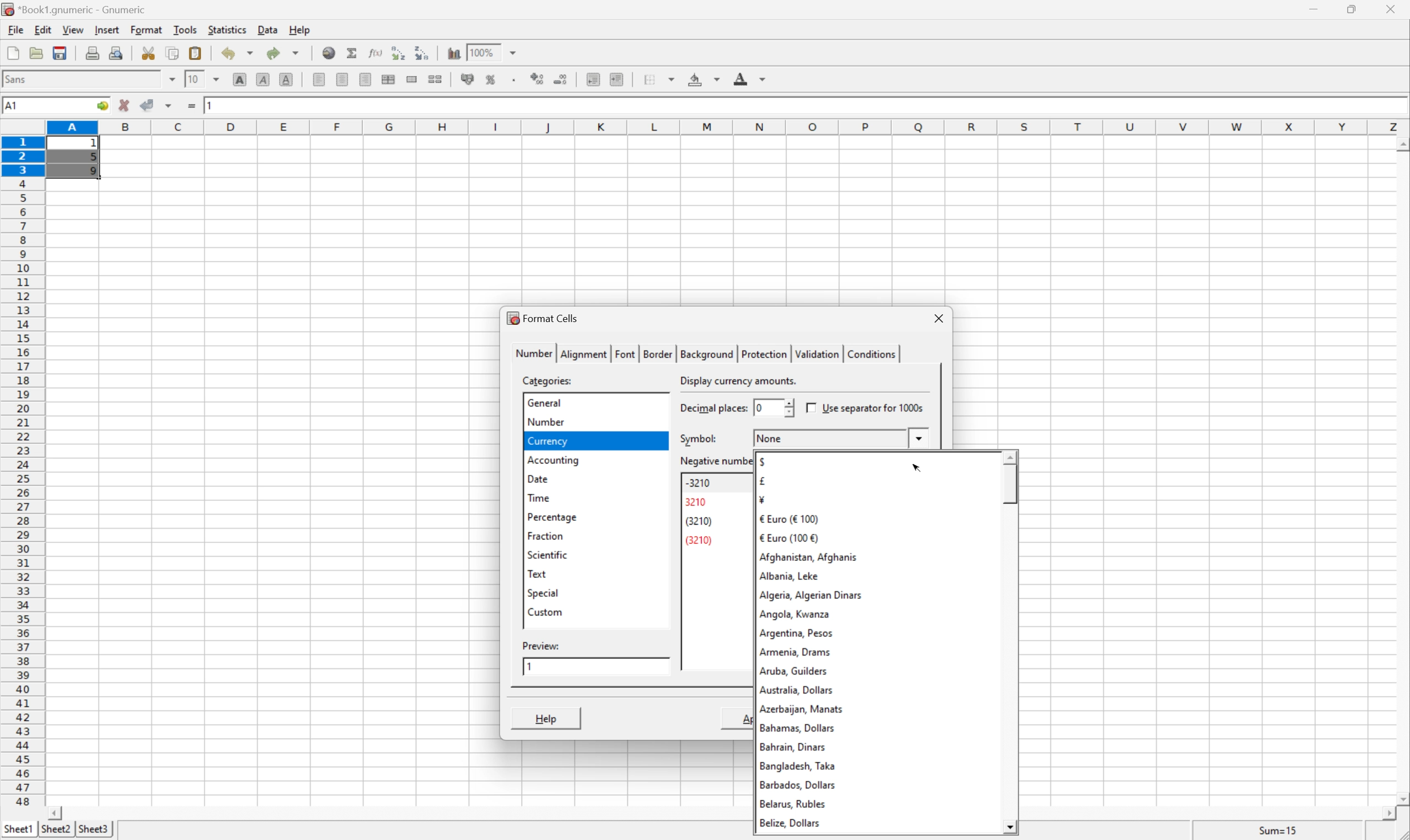 Image resolution: width=1410 pixels, height=840 pixels. I want to click on font, so click(625, 353).